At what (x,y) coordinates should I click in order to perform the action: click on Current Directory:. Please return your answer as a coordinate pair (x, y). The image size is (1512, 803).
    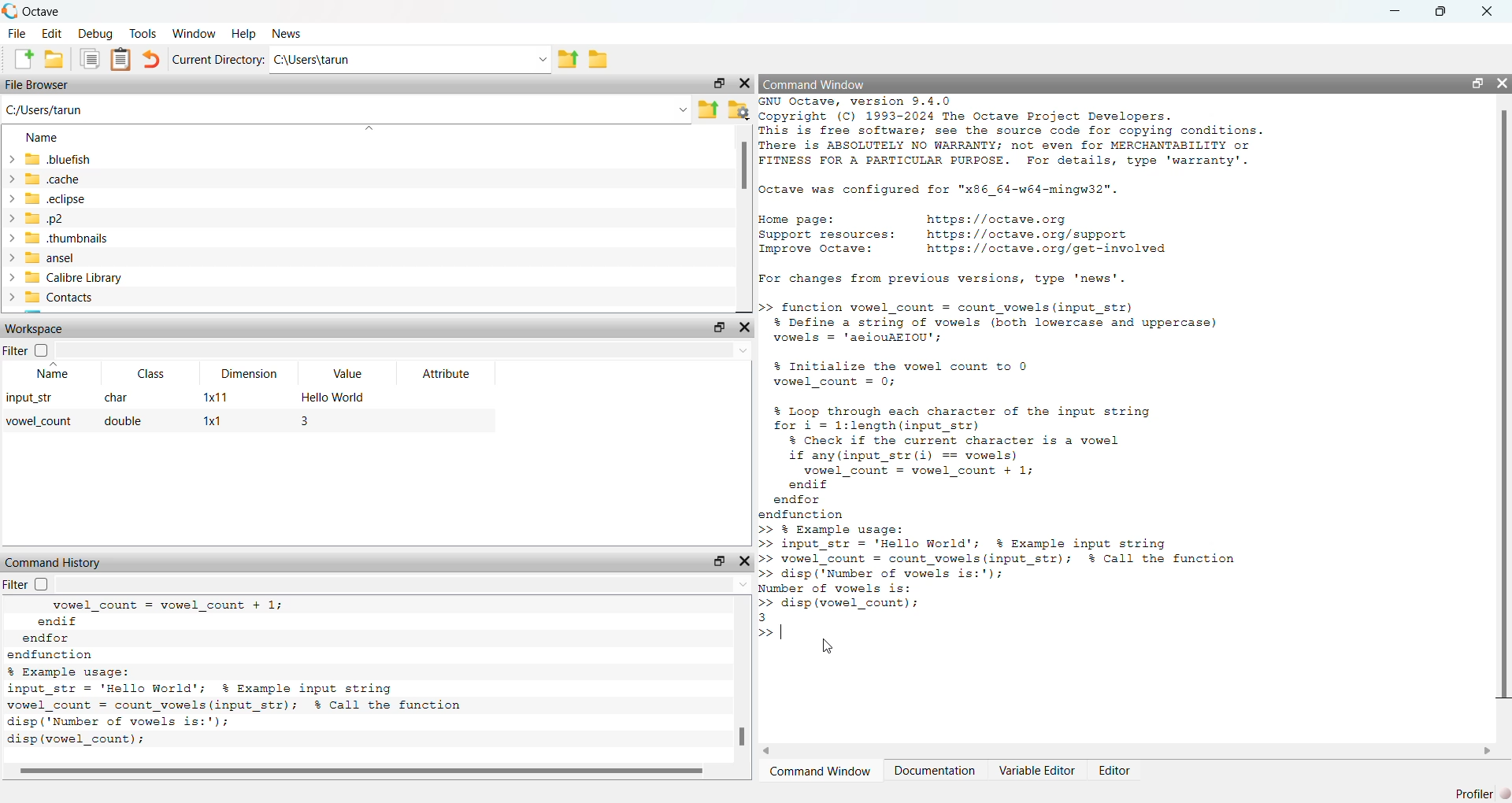
    Looking at the image, I should click on (219, 58).